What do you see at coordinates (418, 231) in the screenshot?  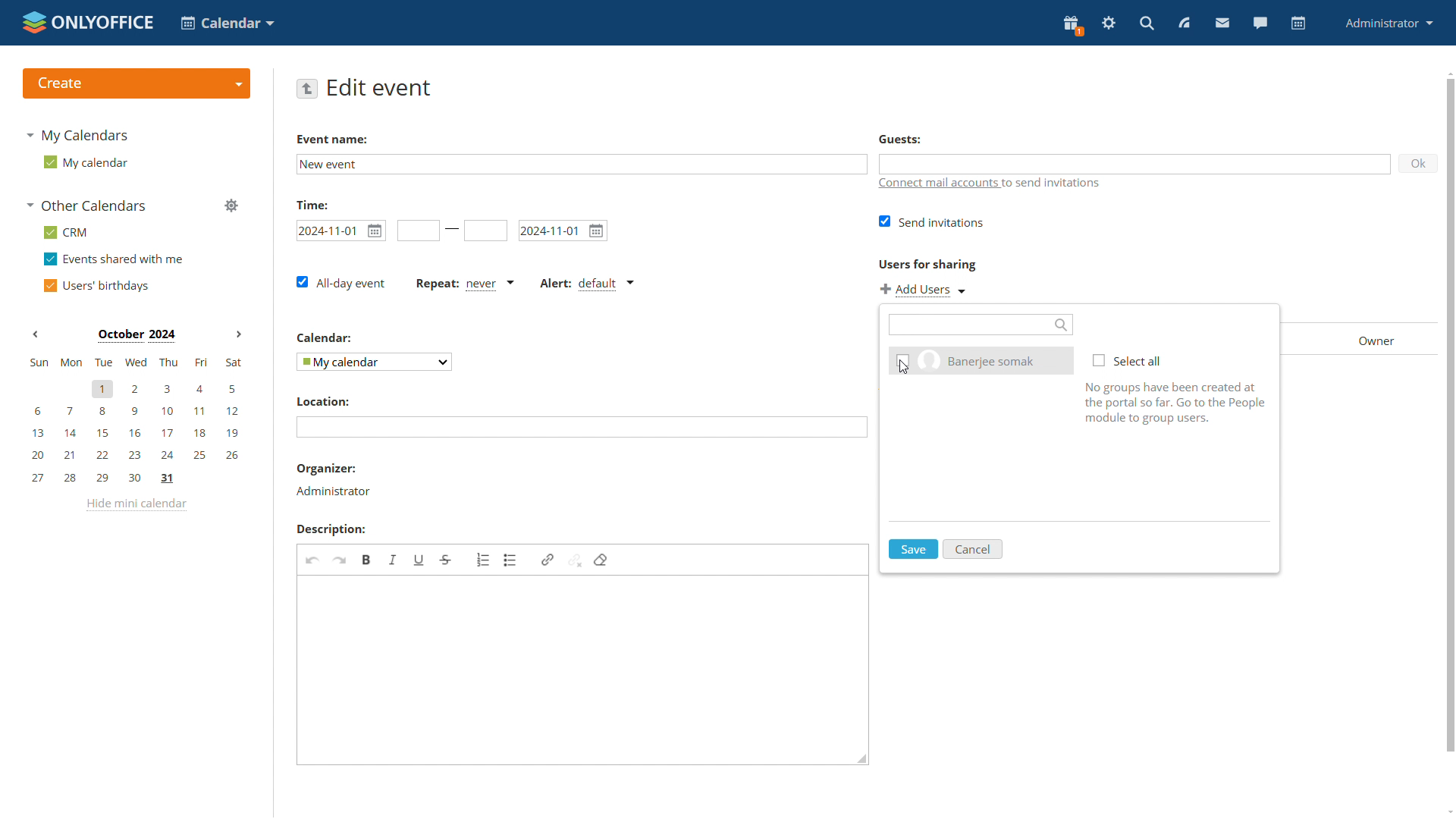 I see `start time` at bounding box center [418, 231].